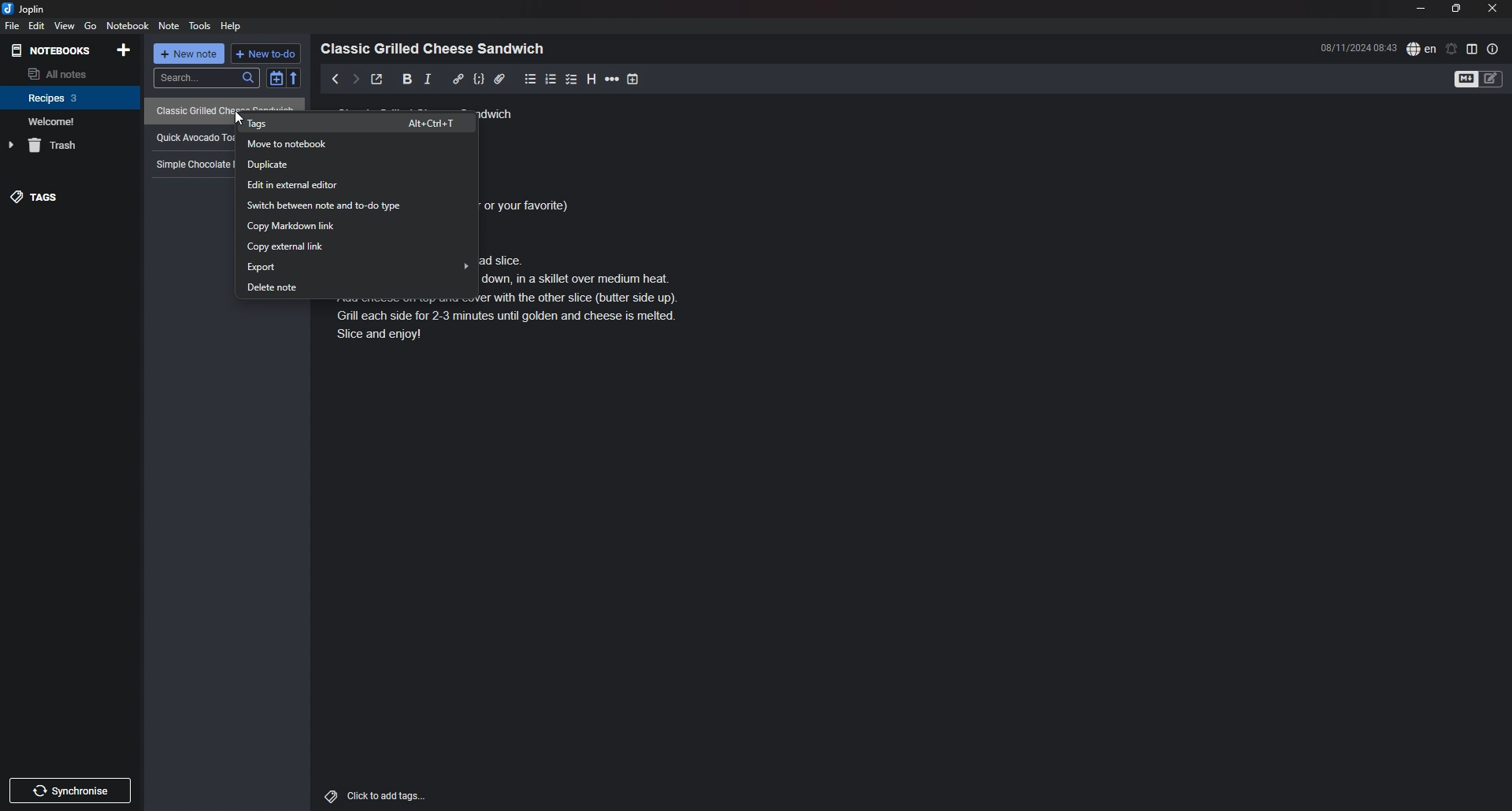  Describe the element at coordinates (355, 80) in the screenshot. I see `next` at that location.